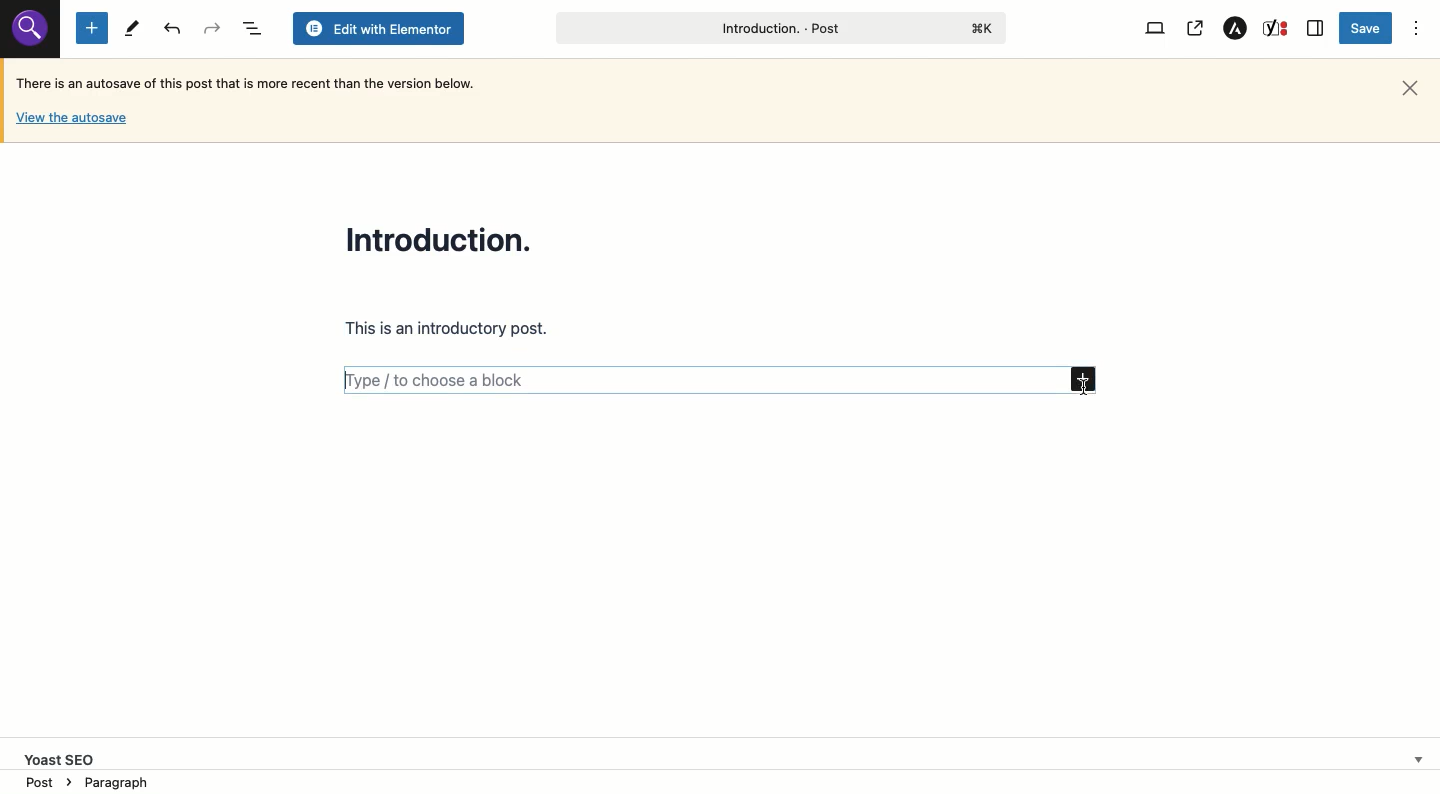 This screenshot has width=1440, height=794. I want to click on Sidebar, so click(1316, 28).